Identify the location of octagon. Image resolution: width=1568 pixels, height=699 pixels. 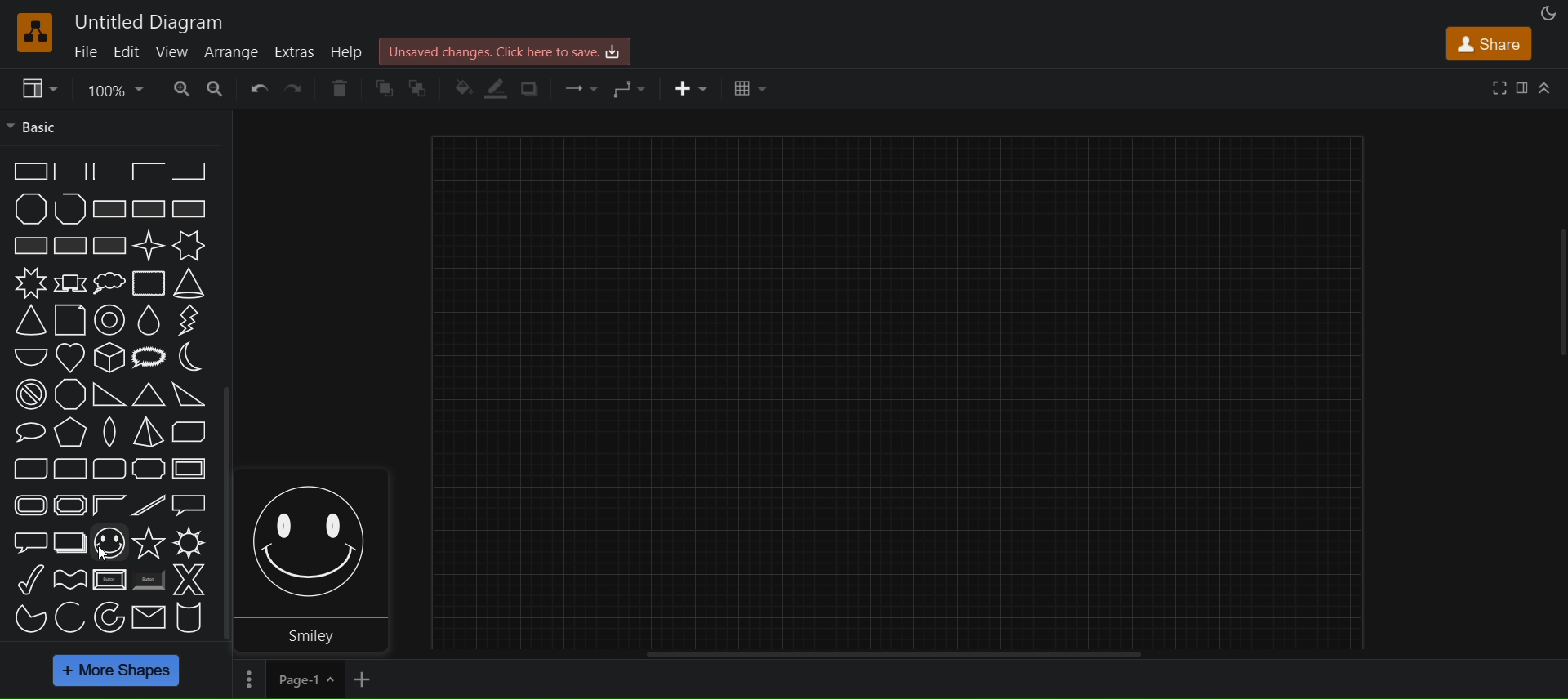
(69, 395).